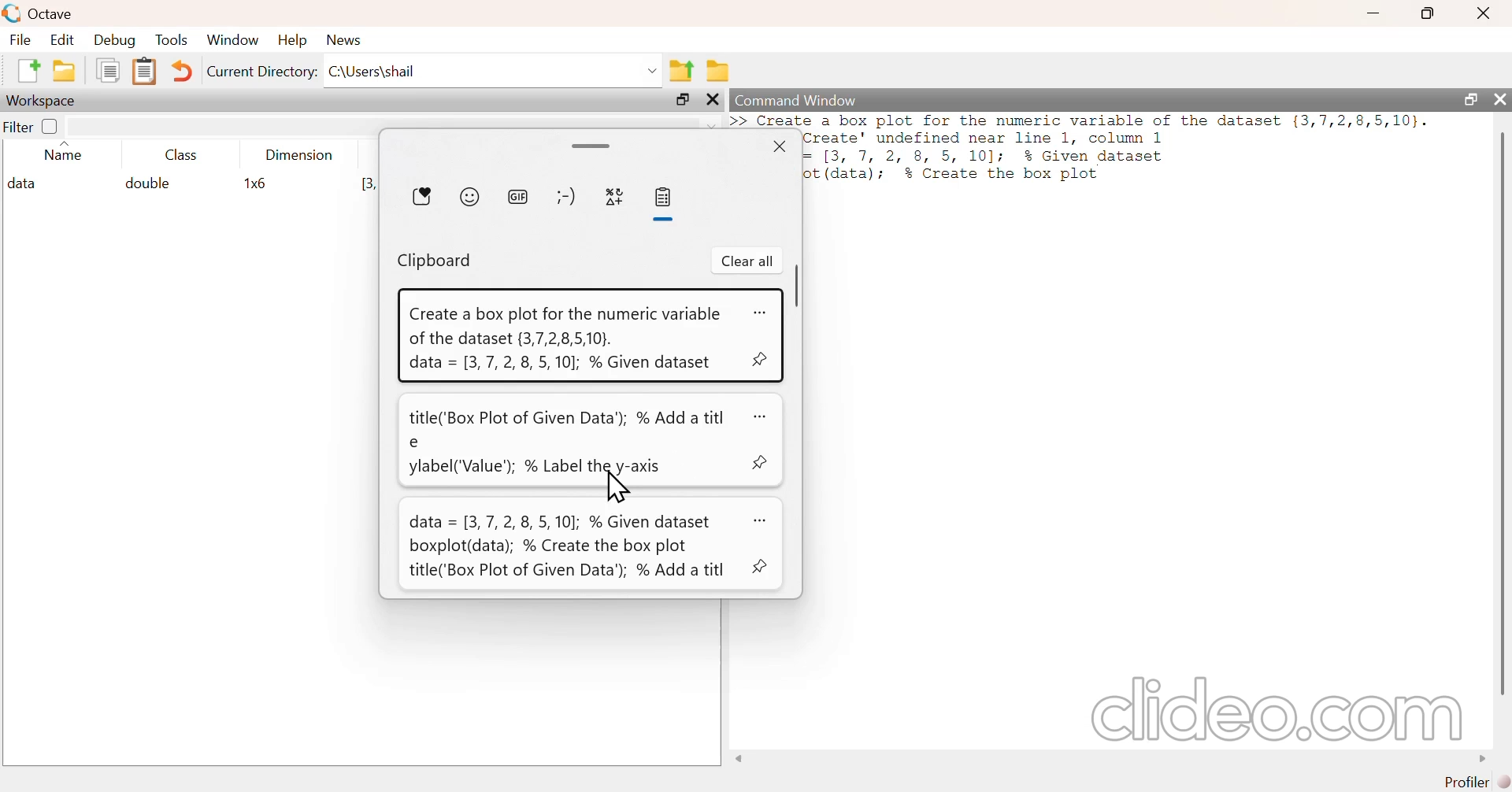 This screenshot has width=1512, height=792. What do you see at coordinates (413, 195) in the screenshot?
I see `most recently used` at bounding box center [413, 195].